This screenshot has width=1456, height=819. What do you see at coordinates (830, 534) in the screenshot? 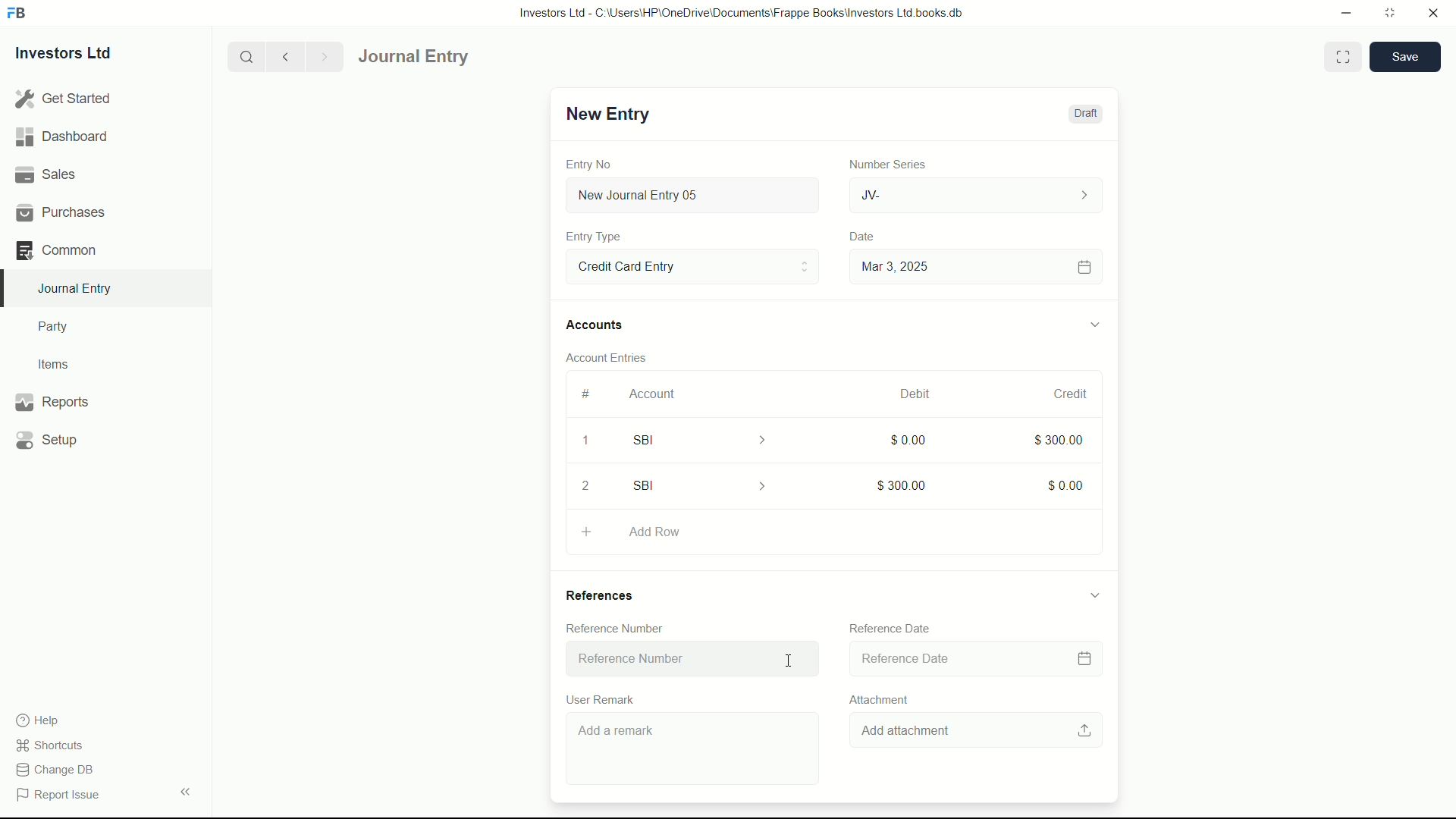
I see `Add Row` at bounding box center [830, 534].